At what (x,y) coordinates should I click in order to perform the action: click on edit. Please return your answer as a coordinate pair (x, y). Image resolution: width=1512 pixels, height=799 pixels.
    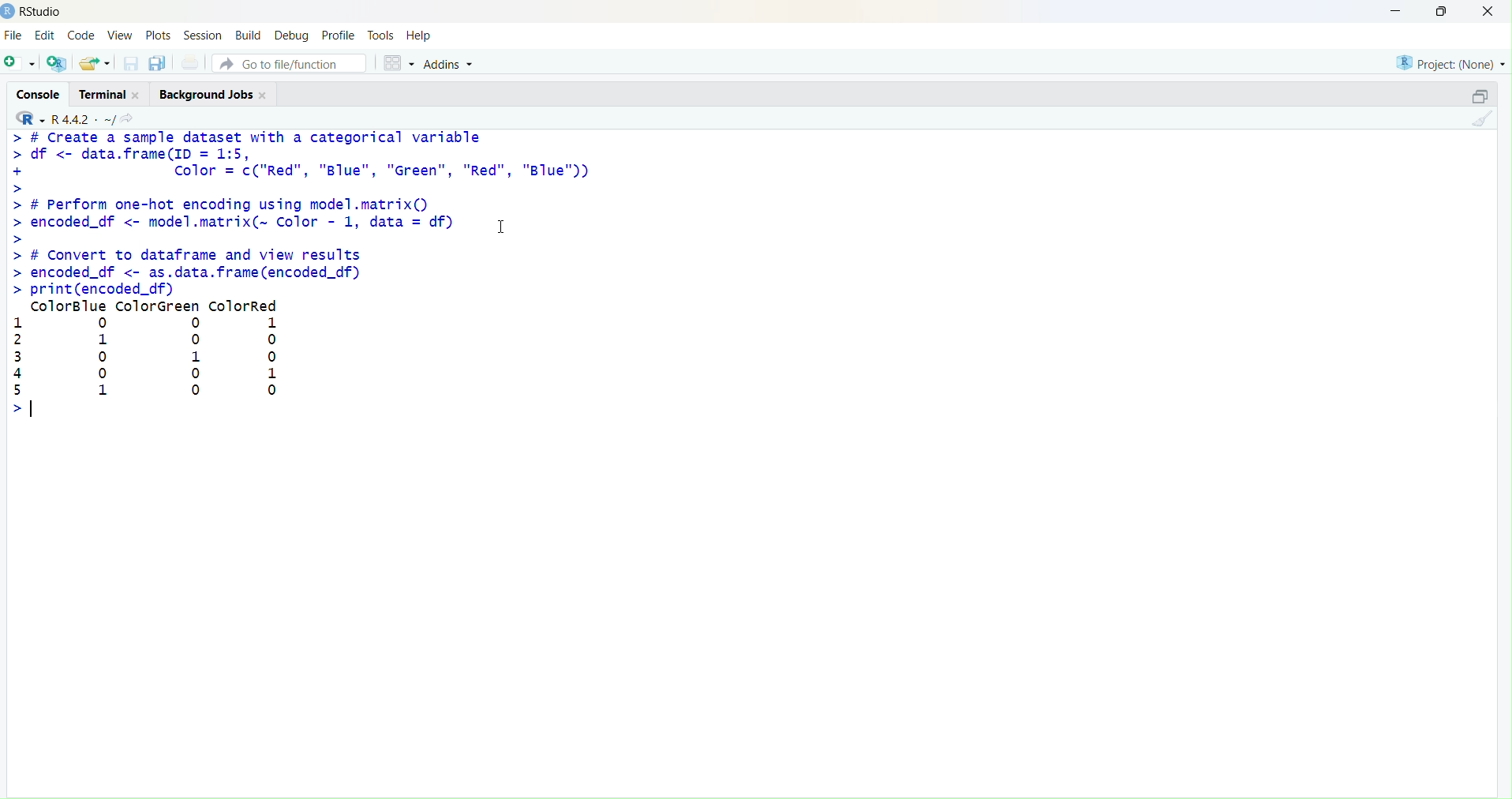
    Looking at the image, I should click on (46, 35).